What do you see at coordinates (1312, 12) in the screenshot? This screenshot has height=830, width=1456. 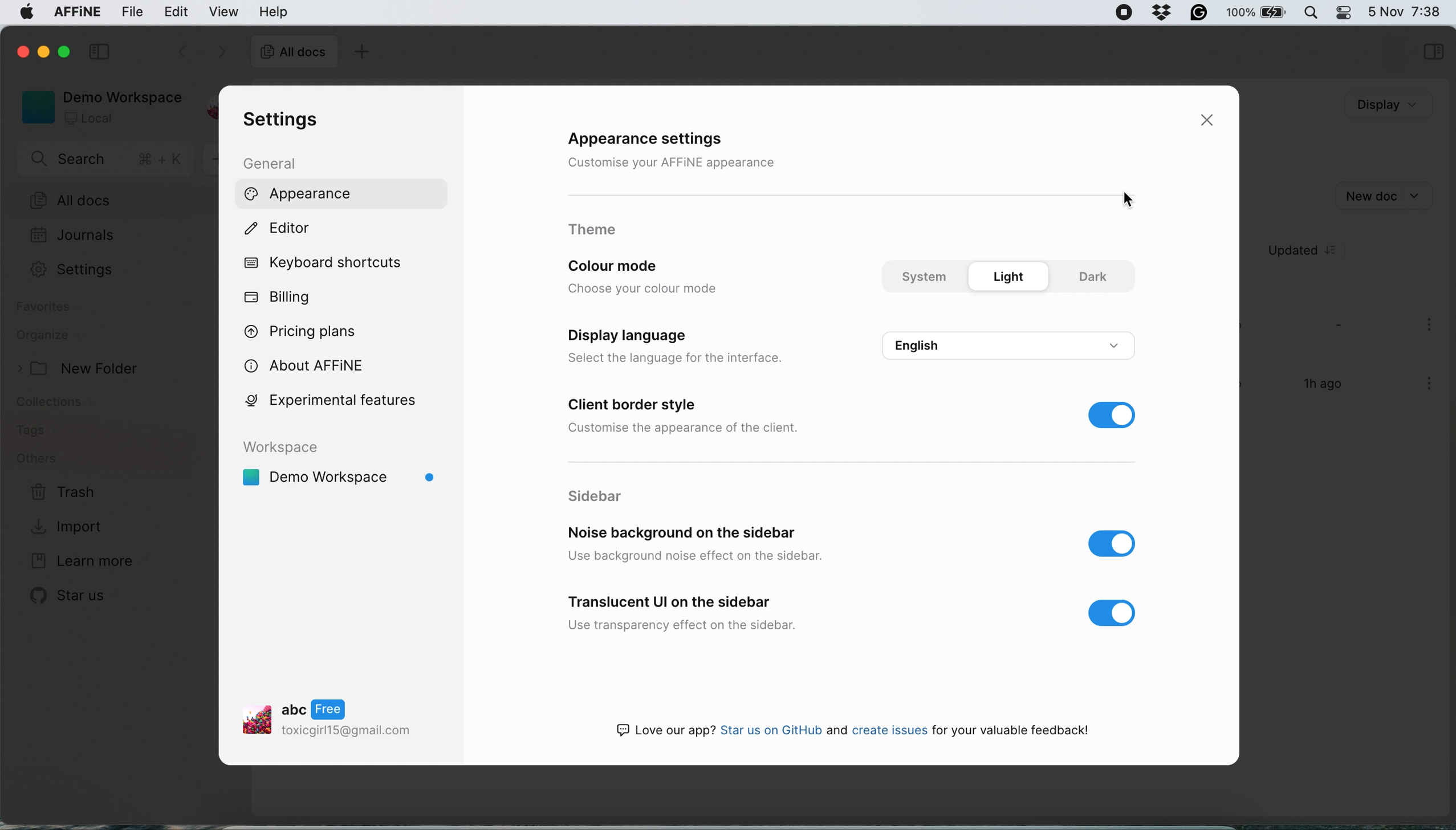 I see `spotlight search` at bounding box center [1312, 12].